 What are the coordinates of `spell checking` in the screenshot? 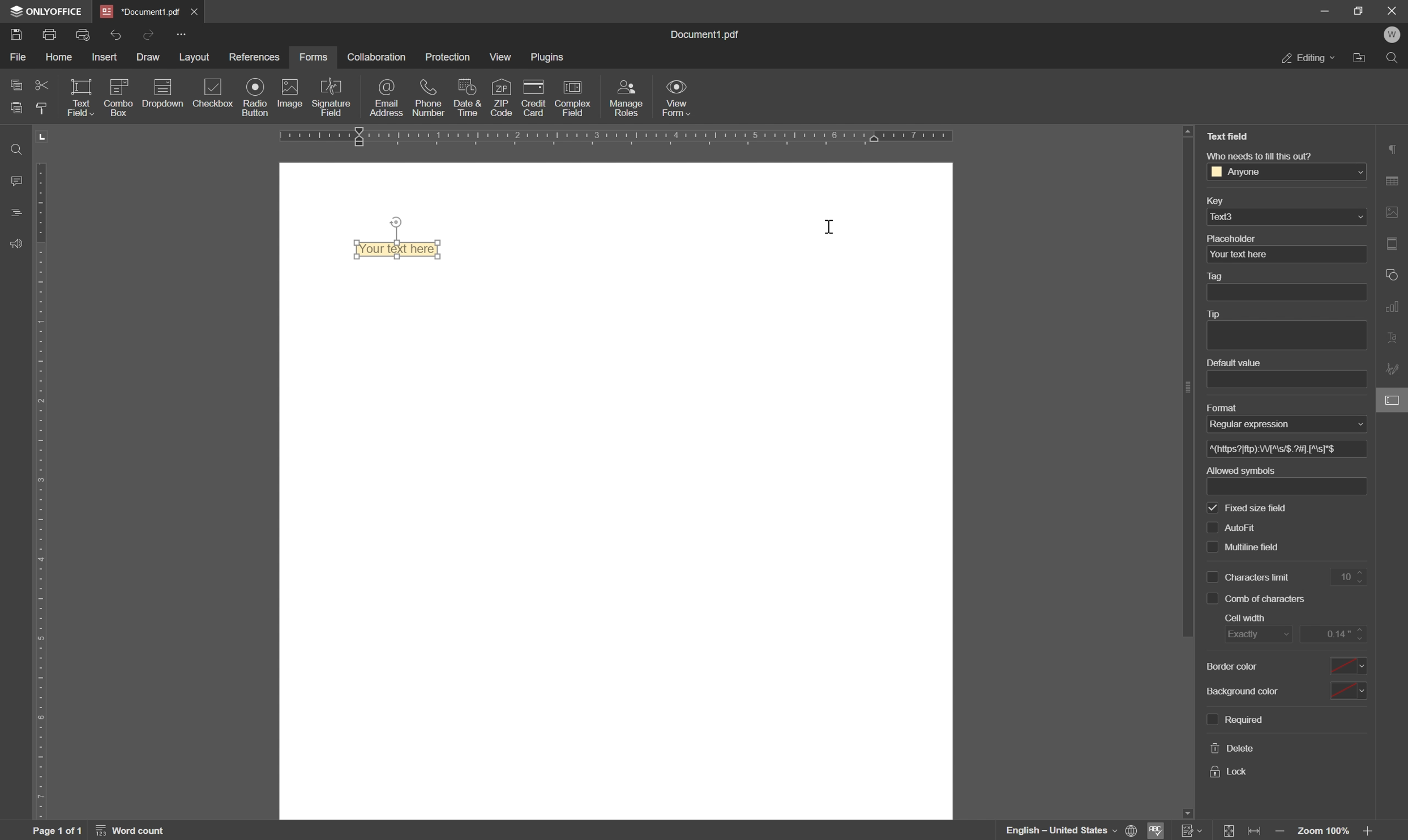 It's located at (1159, 831).